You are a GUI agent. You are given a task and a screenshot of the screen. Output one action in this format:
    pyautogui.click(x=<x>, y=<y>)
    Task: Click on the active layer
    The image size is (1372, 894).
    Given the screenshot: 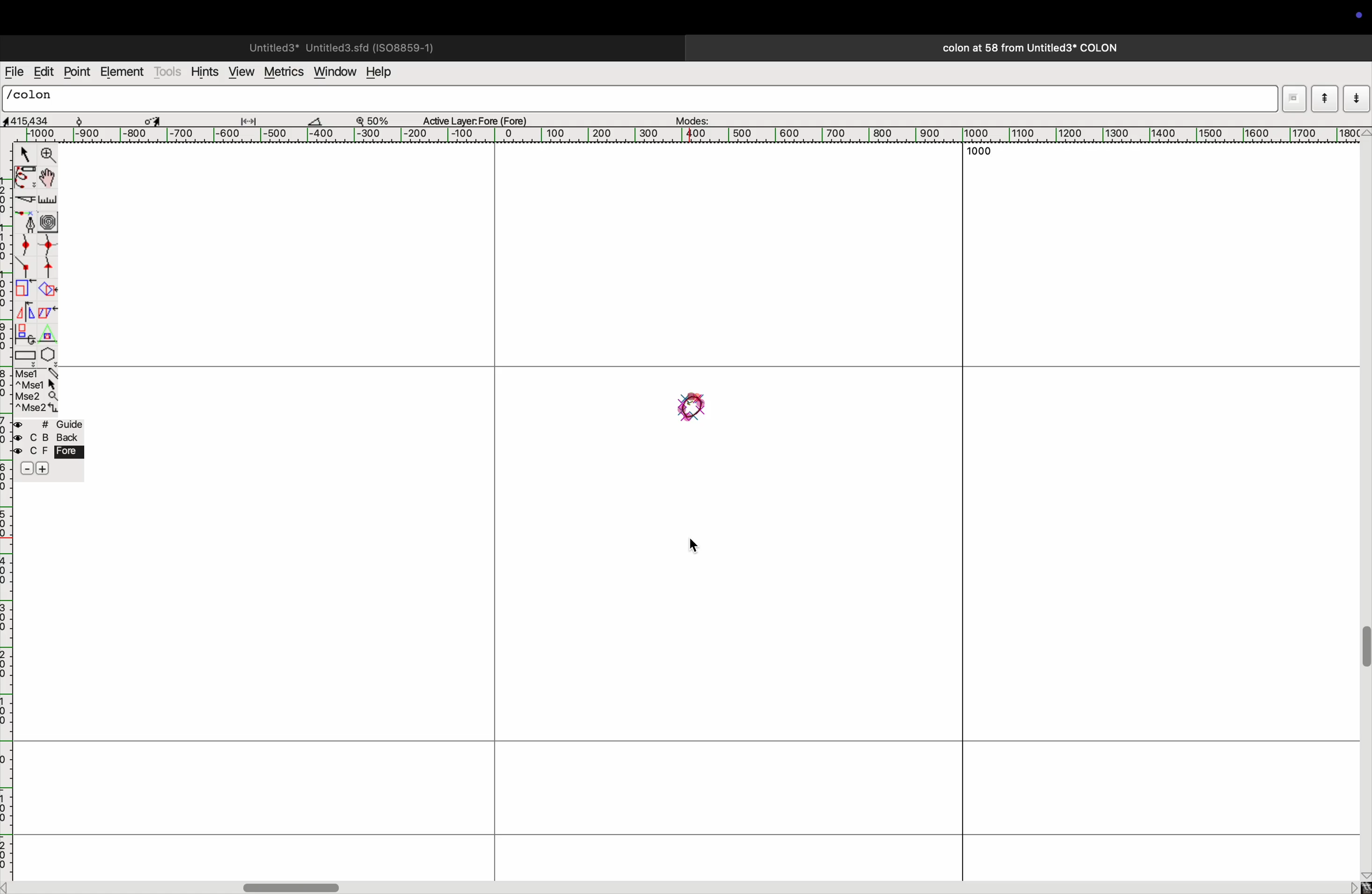 What is the action you would take?
    pyautogui.click(x=480, y=118)
    